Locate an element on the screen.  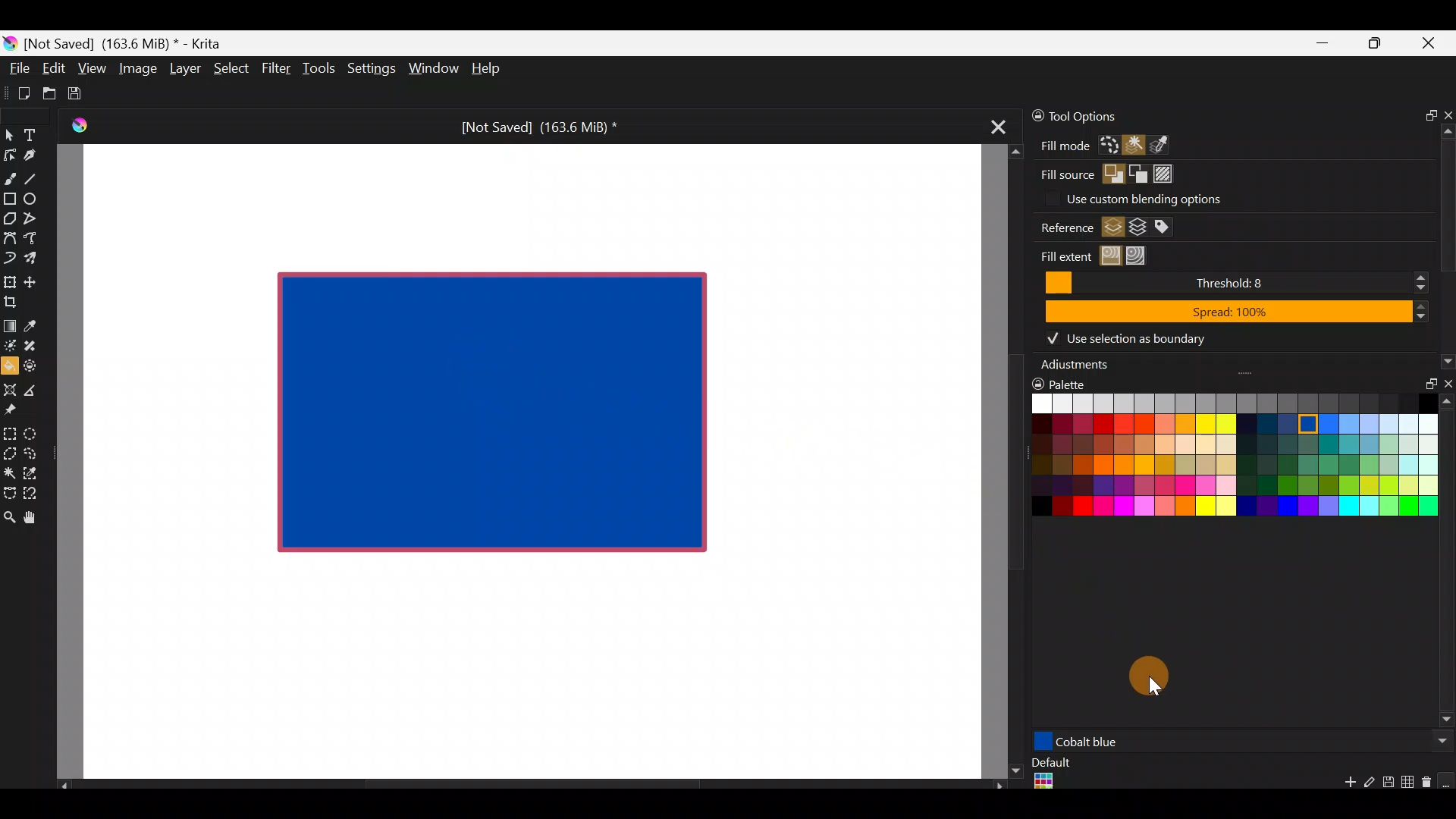
Edit swatch/group is located at coordinates (1370, 786).